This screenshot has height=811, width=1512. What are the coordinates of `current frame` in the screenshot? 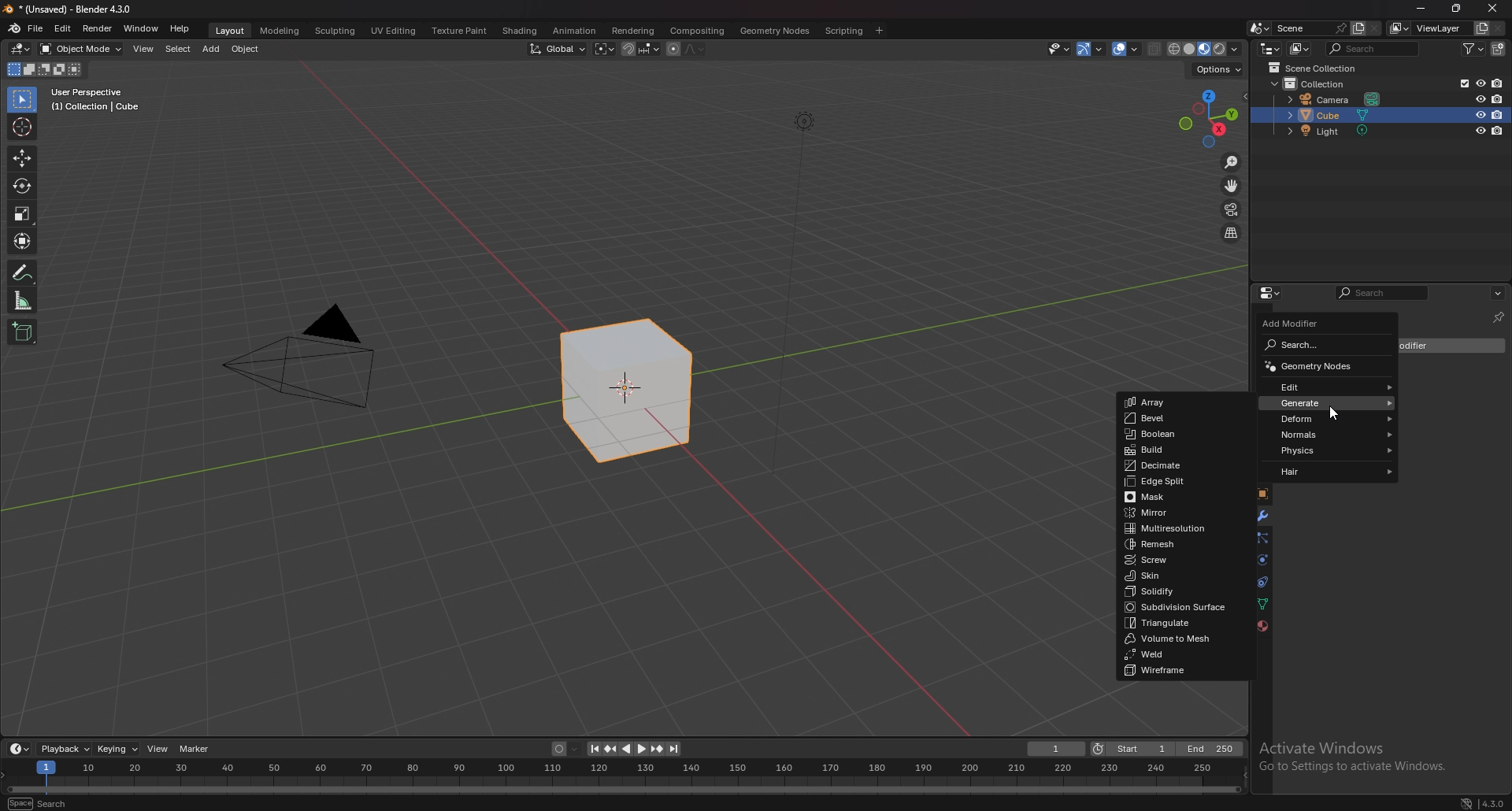 It's located at (1057, 749).